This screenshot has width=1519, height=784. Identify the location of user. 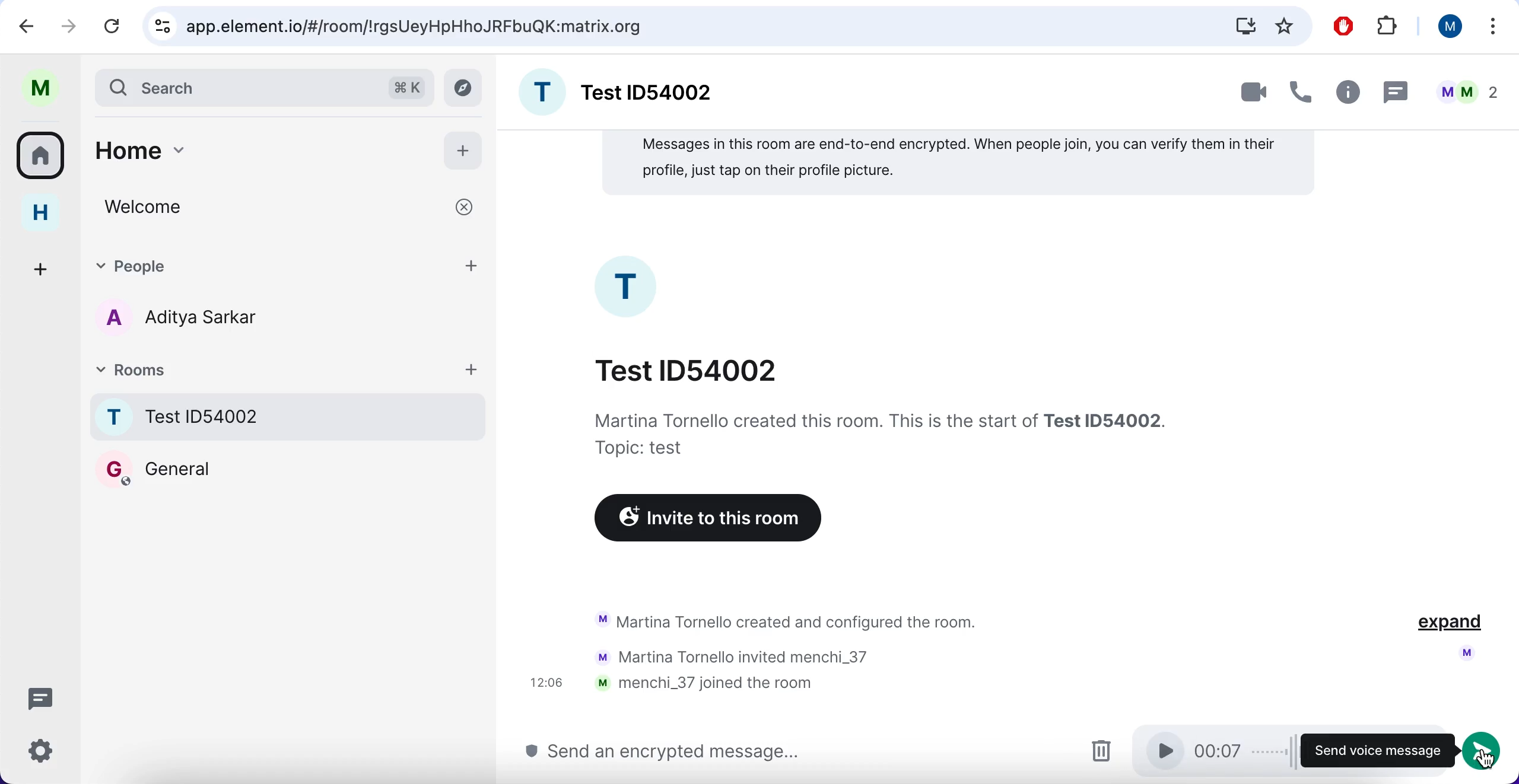
(1448, 27).